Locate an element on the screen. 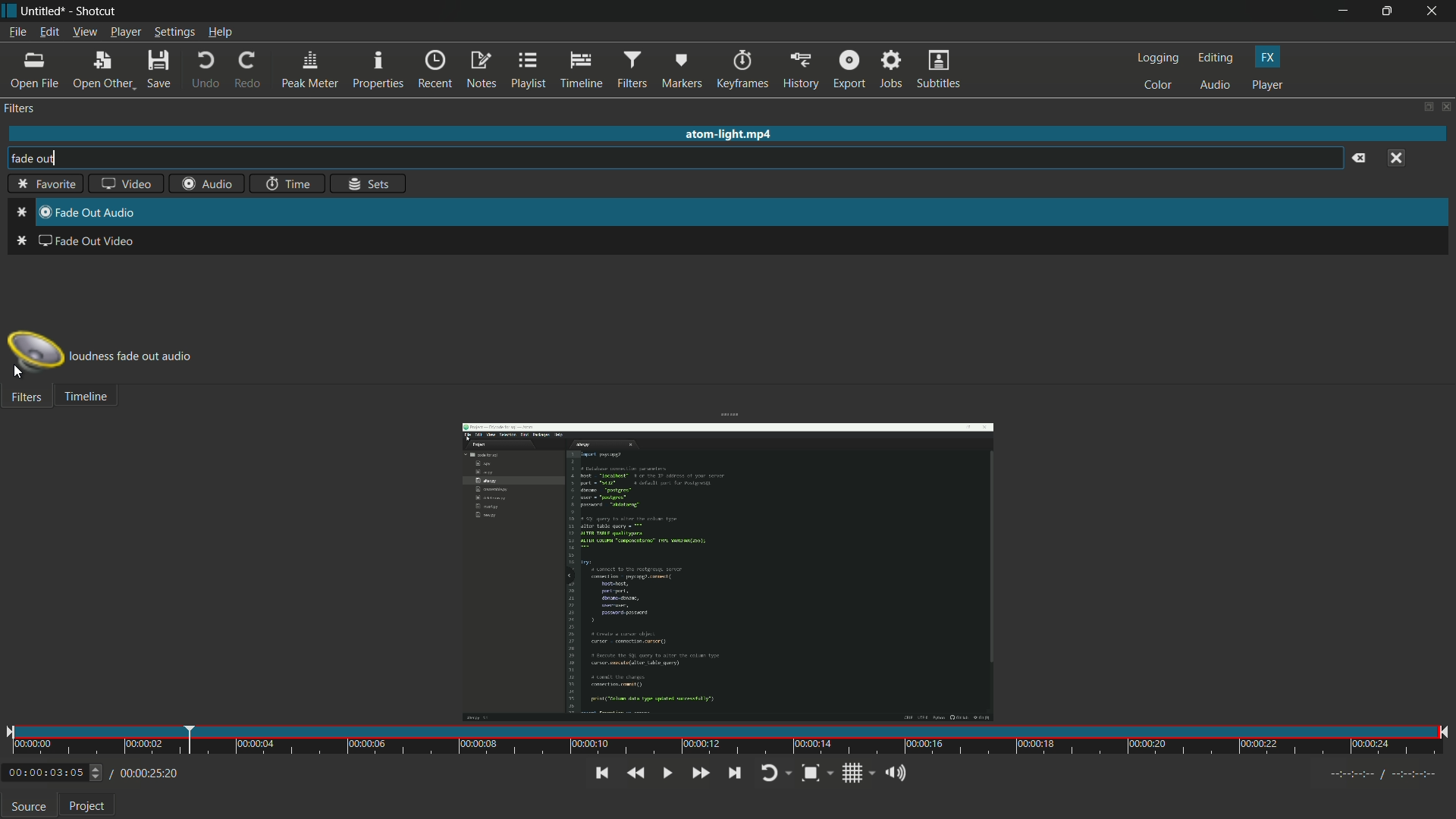  file name is located at coordinates (42, 11).